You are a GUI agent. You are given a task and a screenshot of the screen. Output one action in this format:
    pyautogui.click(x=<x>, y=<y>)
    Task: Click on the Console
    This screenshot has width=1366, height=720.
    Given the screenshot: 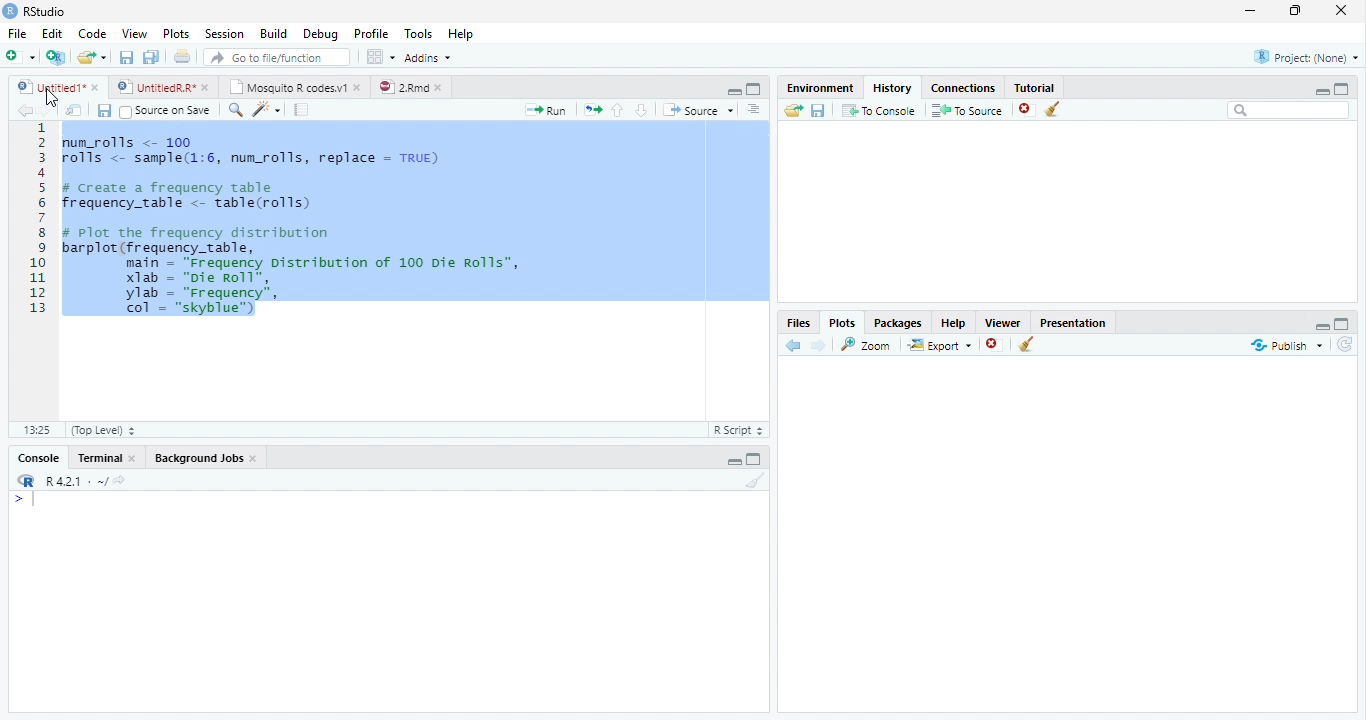 What is the action you would take?
    pyautogui.click(x=38, y=457)
    